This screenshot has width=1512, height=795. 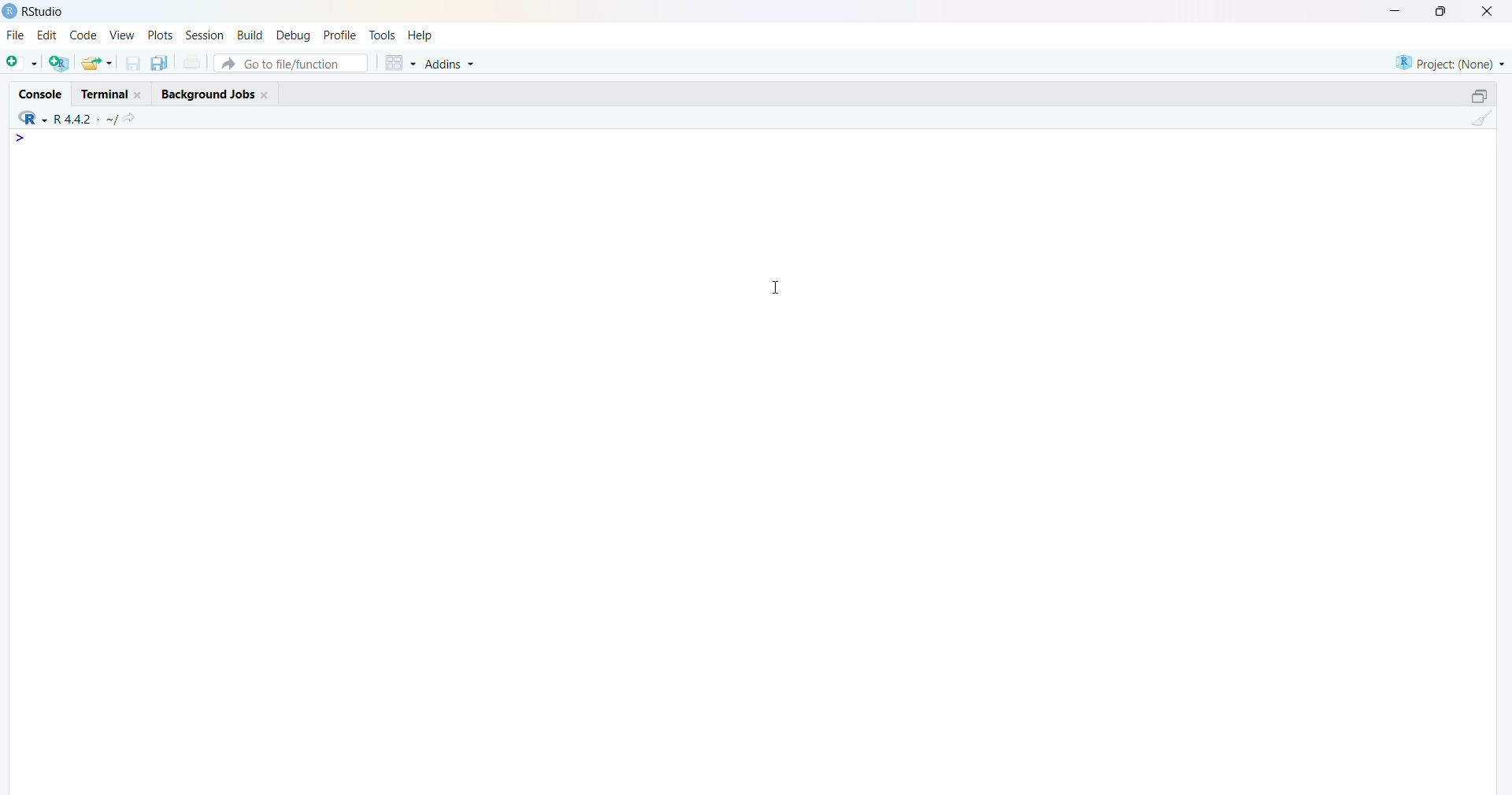 I want to click on save, so click(x=135, y=64).